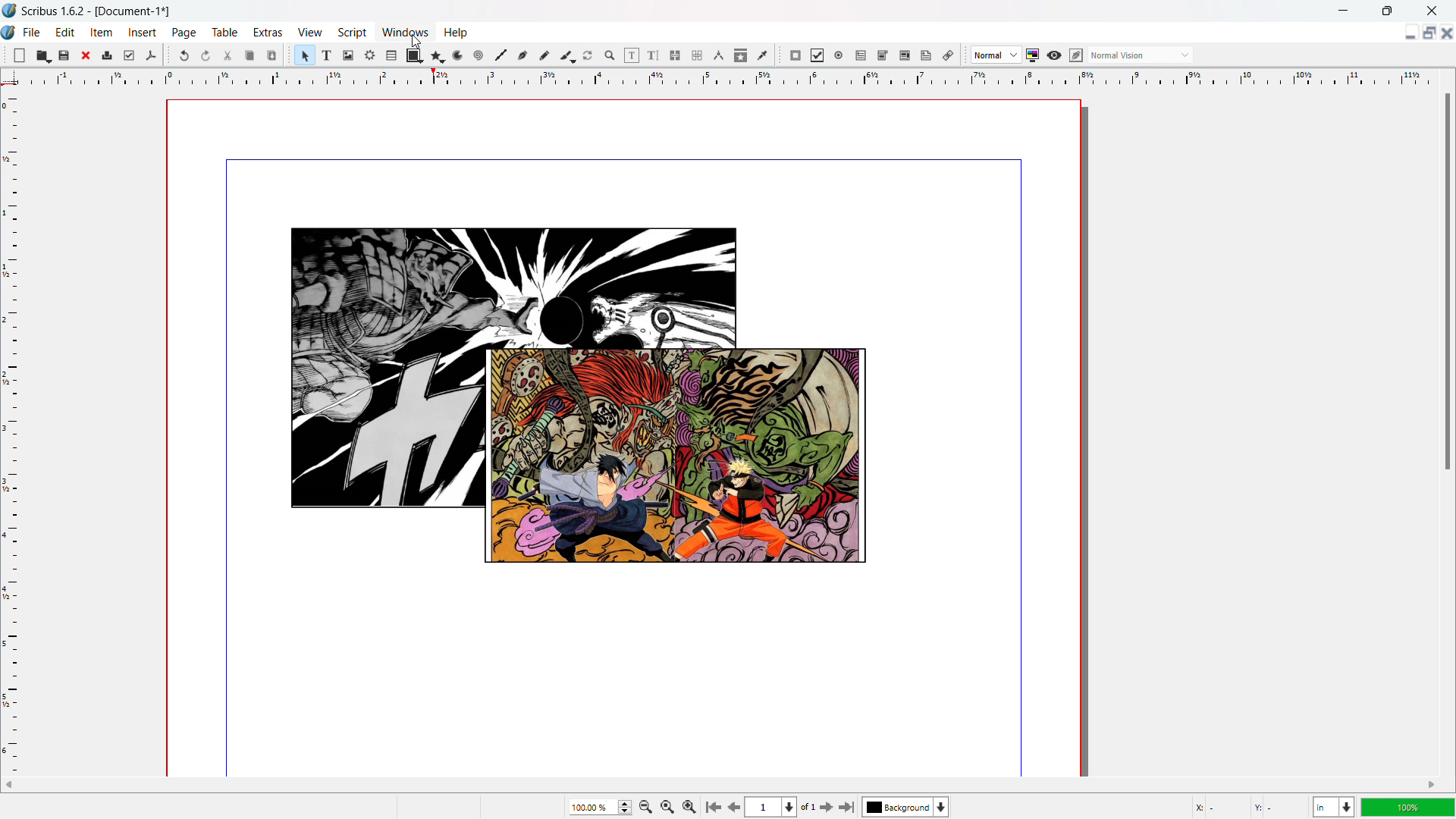 The image size is (1456, 819). I want to click on open, so click(43, 55).